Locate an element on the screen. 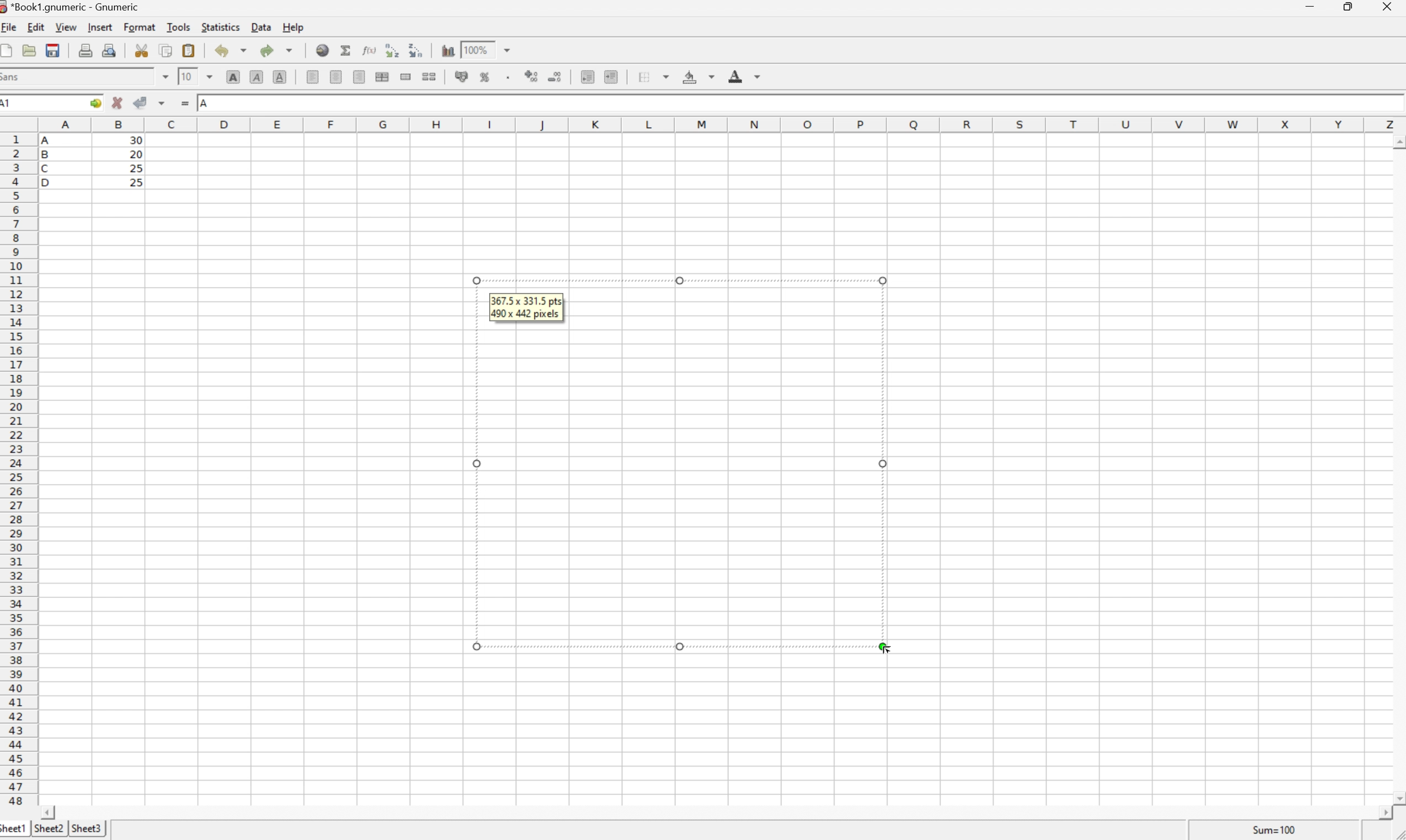 The width and height of the screenshot is (1406, 840). Paste the clipboard is located at coordinates (188, 50).